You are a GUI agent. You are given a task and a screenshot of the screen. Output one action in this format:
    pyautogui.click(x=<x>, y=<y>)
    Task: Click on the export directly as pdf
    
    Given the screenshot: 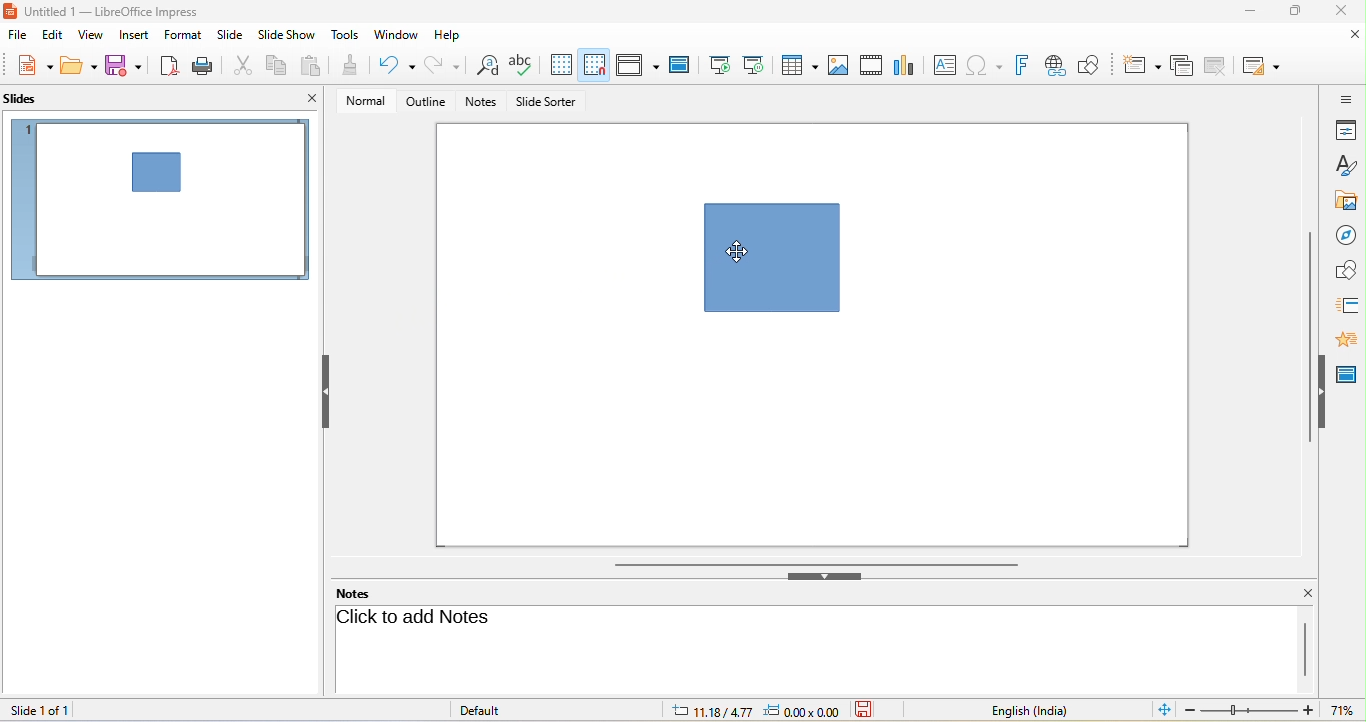 What is the action you would take?
    pyautogui.click(x=165, y=64)
    